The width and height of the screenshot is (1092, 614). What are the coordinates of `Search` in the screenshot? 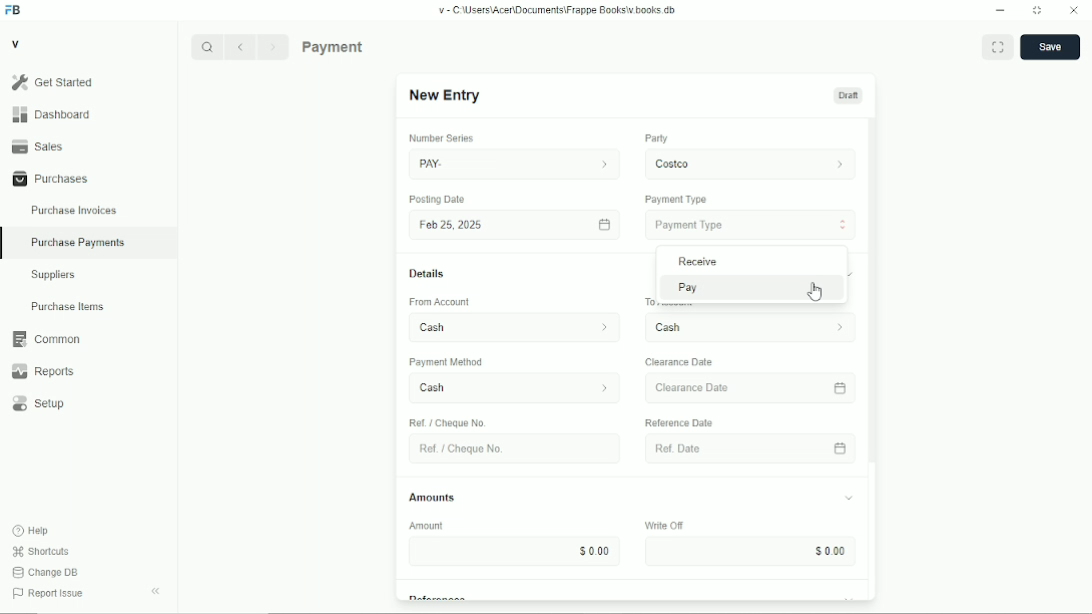 It's located at (207, 47).